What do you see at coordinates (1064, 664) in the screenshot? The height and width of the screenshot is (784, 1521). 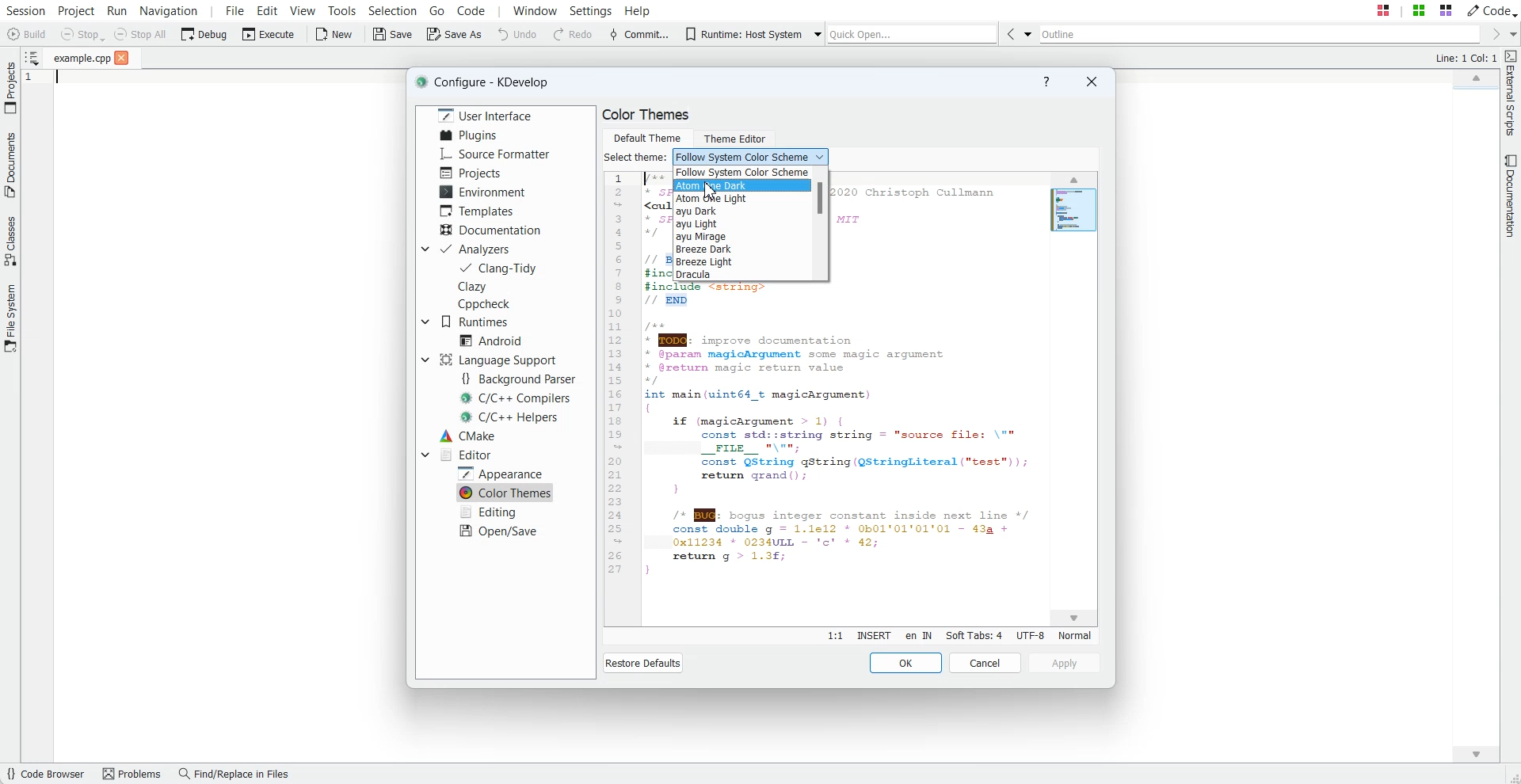 I see `Apply` at bounding box center [1064, 664].